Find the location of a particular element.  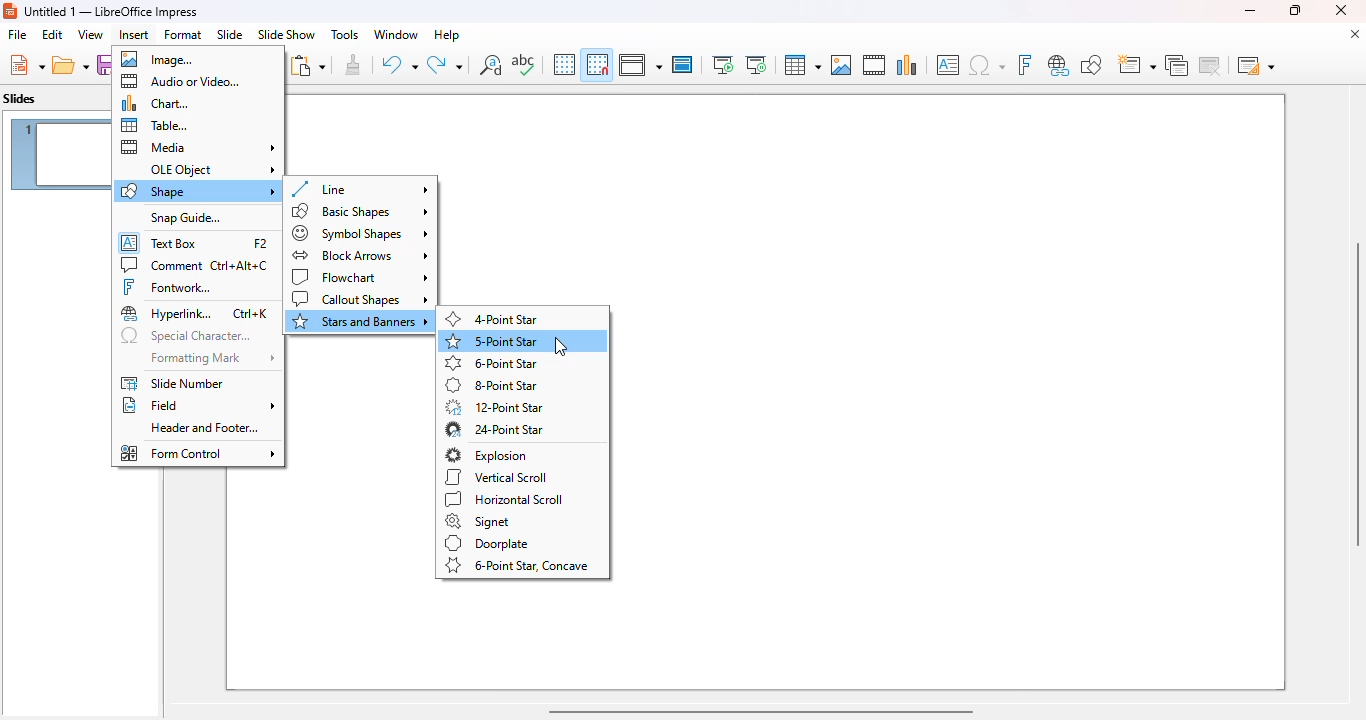

formatting mark is located at coordinates (211, 359).